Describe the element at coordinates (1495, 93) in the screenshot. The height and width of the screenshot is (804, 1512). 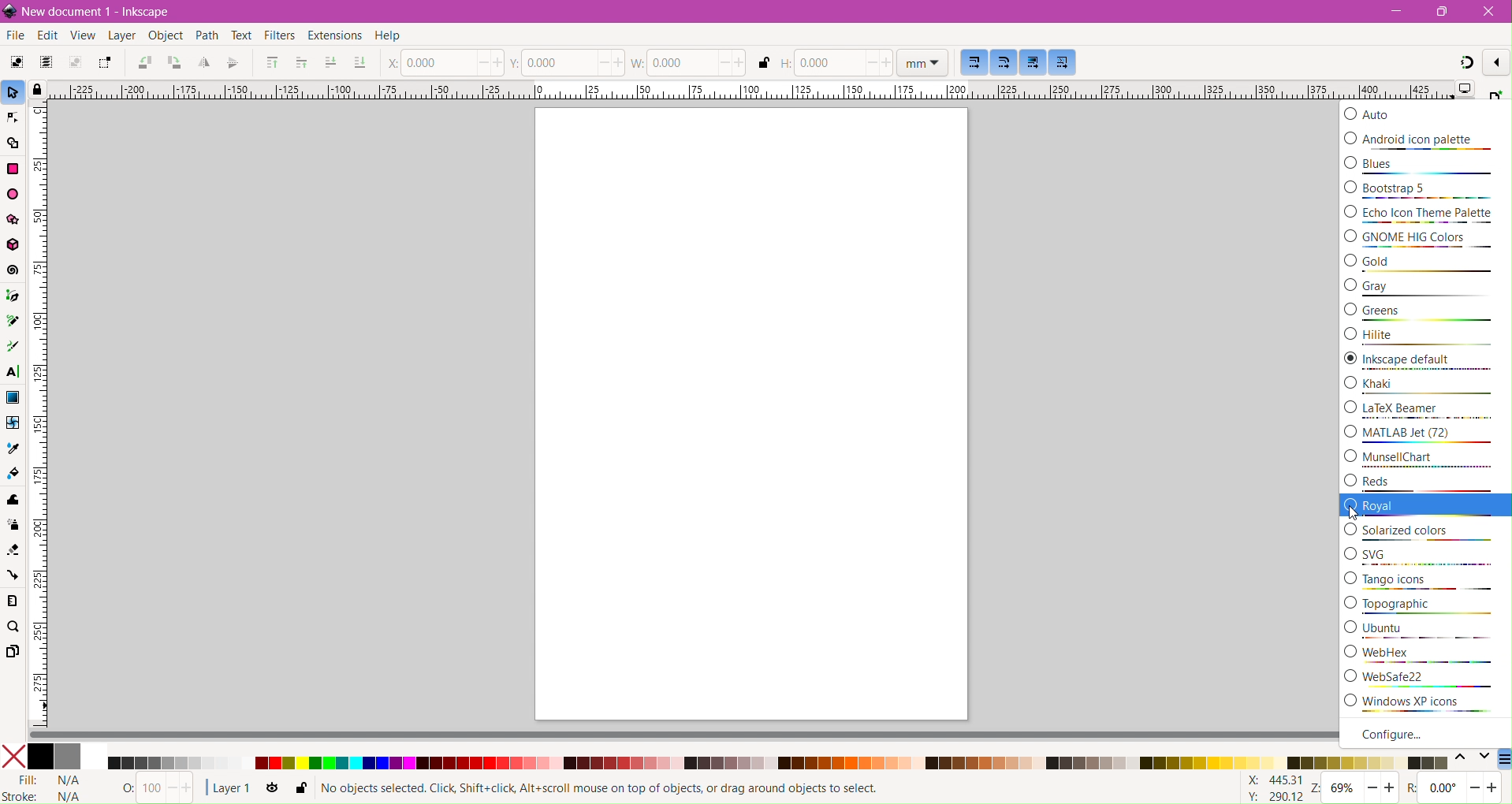
I see `` at that location.